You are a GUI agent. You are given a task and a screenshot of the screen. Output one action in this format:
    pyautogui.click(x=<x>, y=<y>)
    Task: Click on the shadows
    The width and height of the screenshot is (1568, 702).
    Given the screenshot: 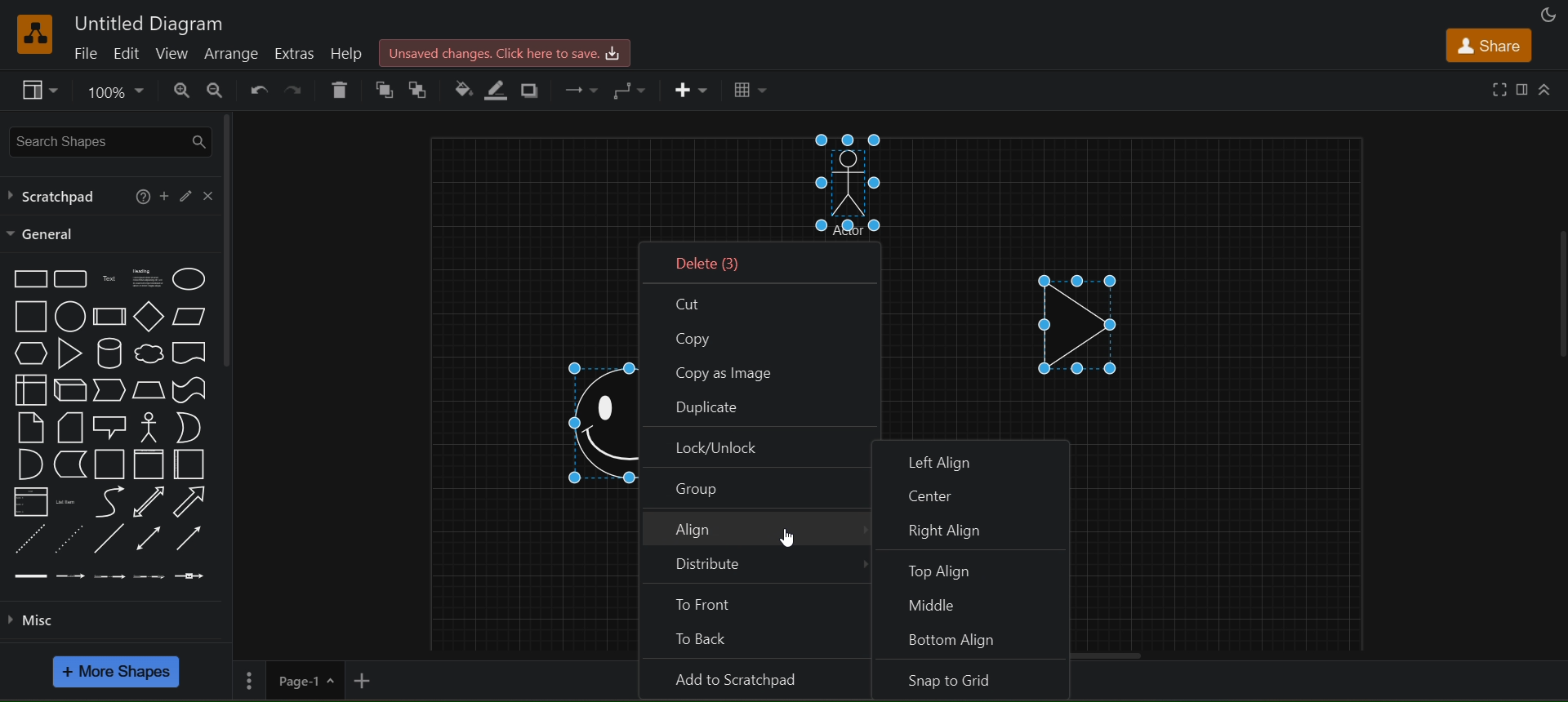 What is the action you would take?
    pyautogui.click(x=531, y=87)
    